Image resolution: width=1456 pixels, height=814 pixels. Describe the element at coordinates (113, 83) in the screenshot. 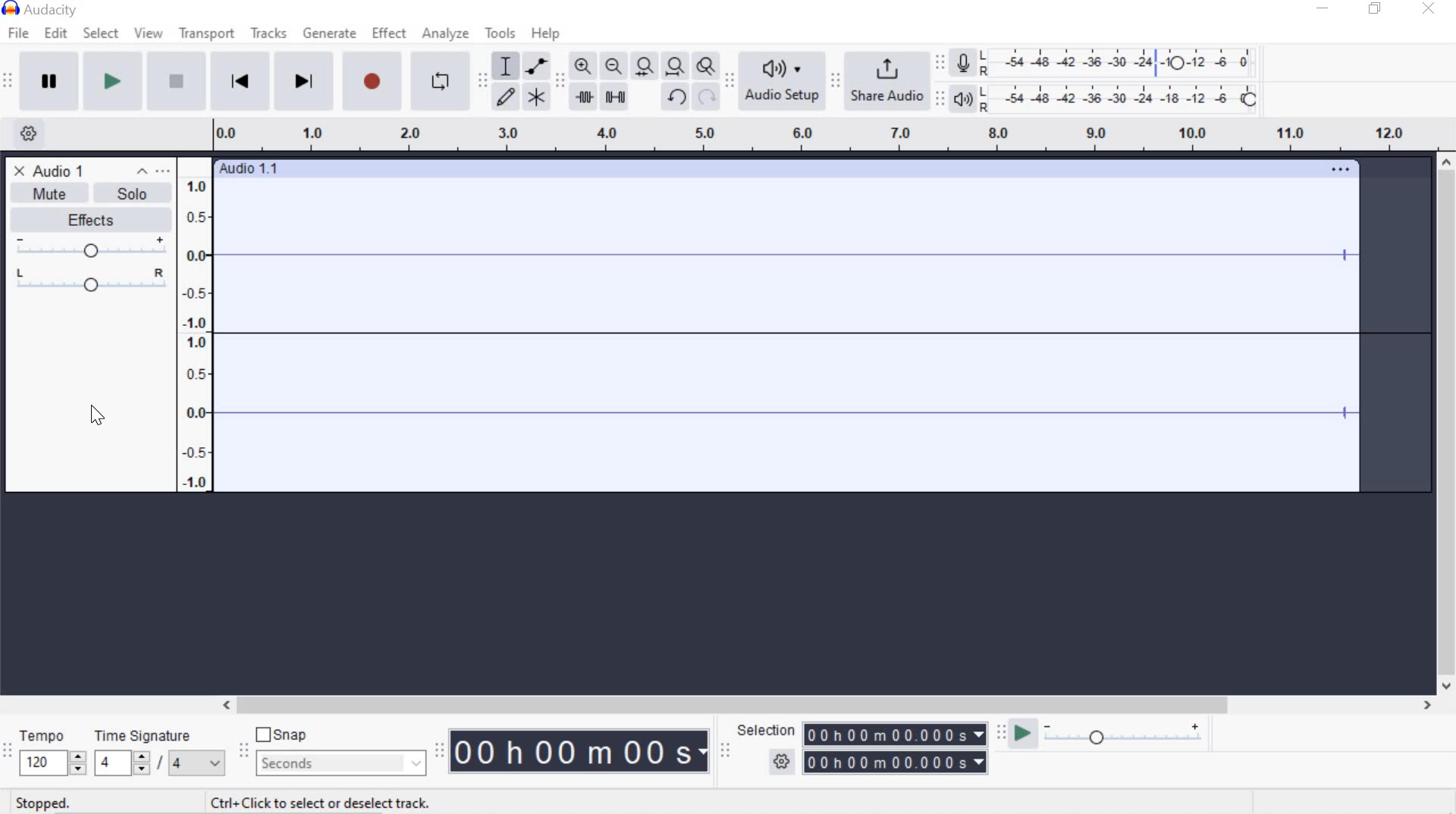

I see `Play` at that location.